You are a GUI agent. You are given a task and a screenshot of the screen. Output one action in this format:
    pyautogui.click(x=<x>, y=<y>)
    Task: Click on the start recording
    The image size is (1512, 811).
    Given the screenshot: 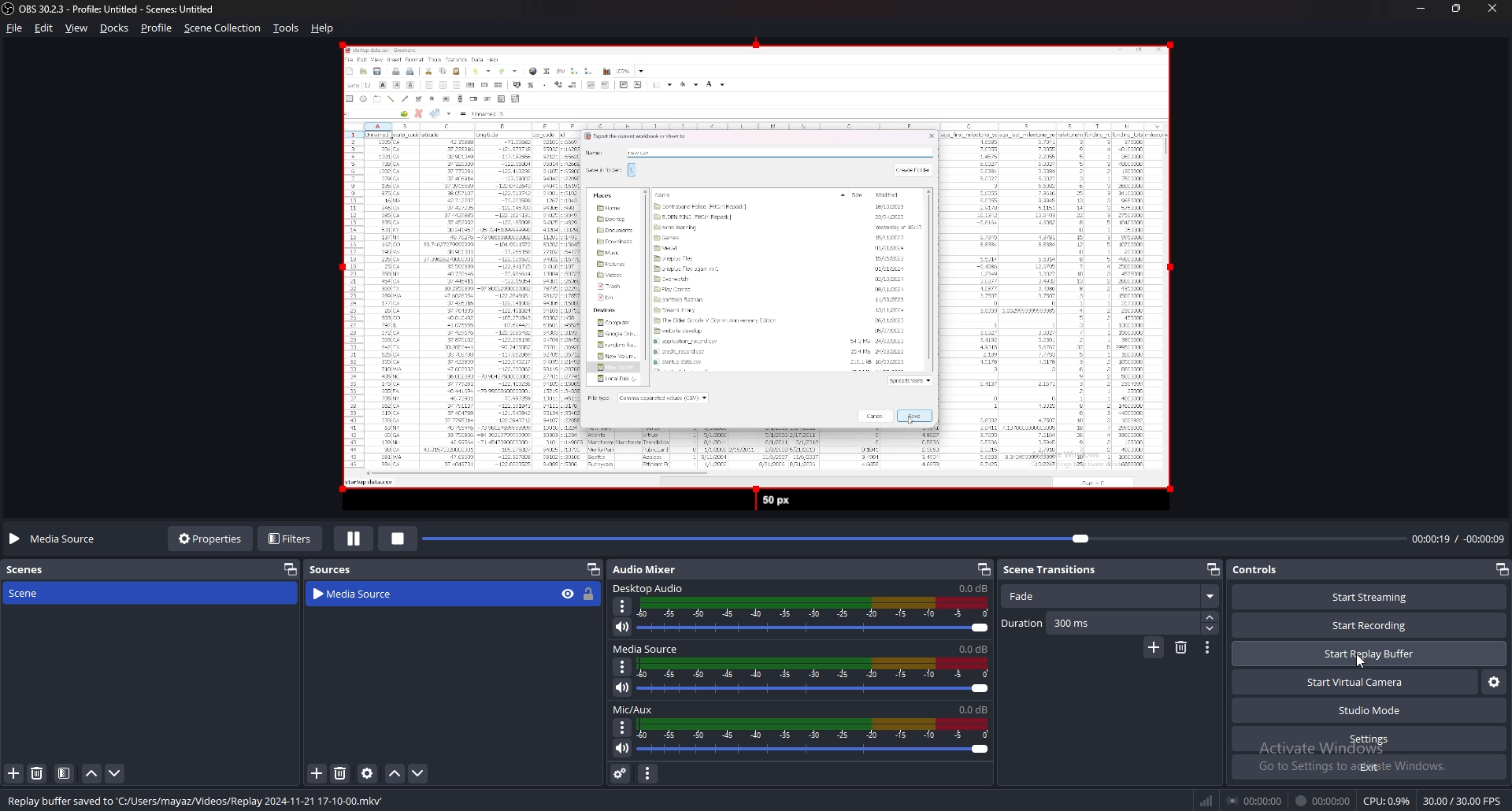 What is the action you would take?
    pyautogui.click(x=1369, y=624)
    